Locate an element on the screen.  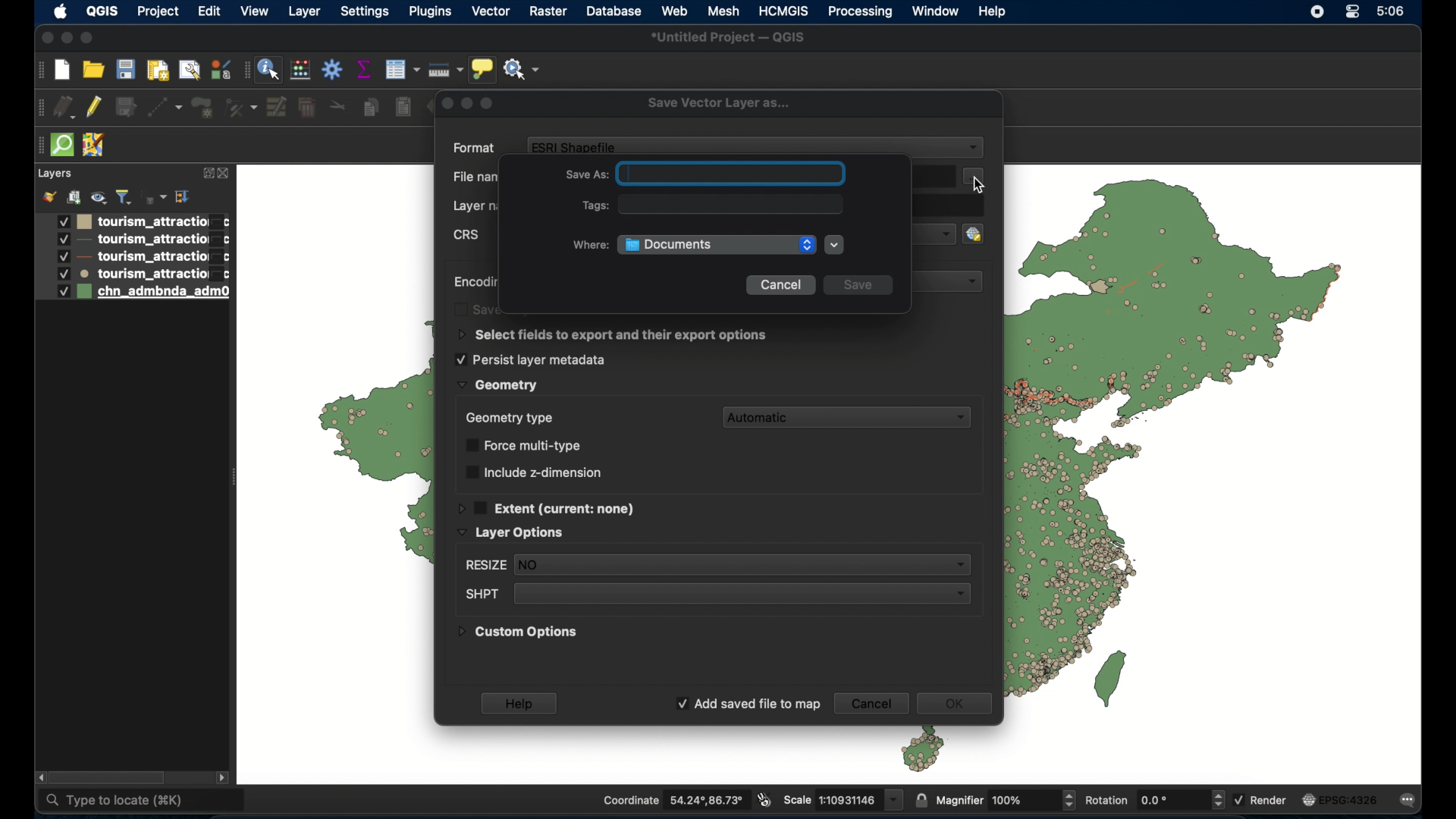
window is located at coordinates (937, 11).